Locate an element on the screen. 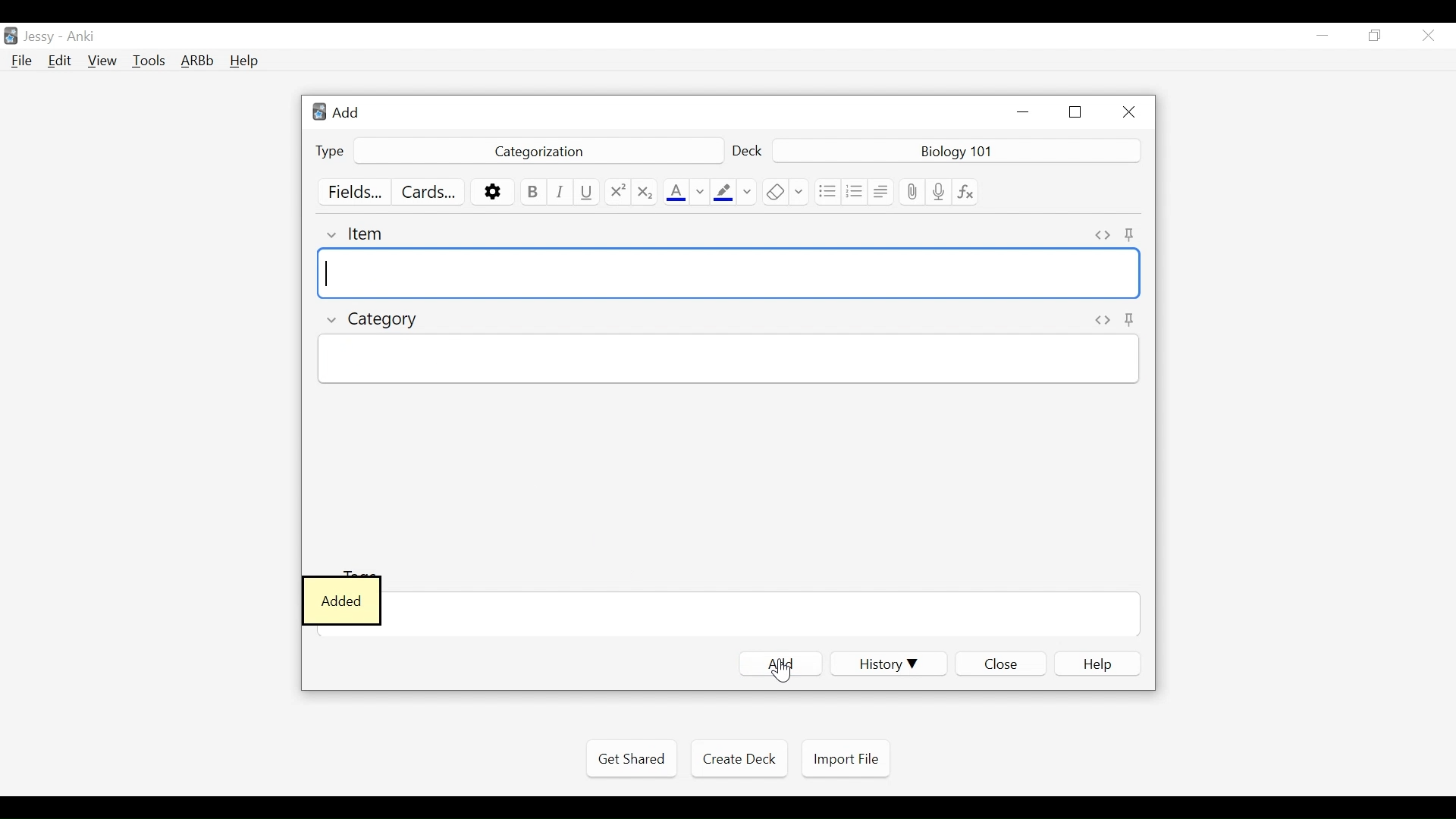 This screenshot has width=1456, height=819. Item Field is located at coordinates (731, 274).